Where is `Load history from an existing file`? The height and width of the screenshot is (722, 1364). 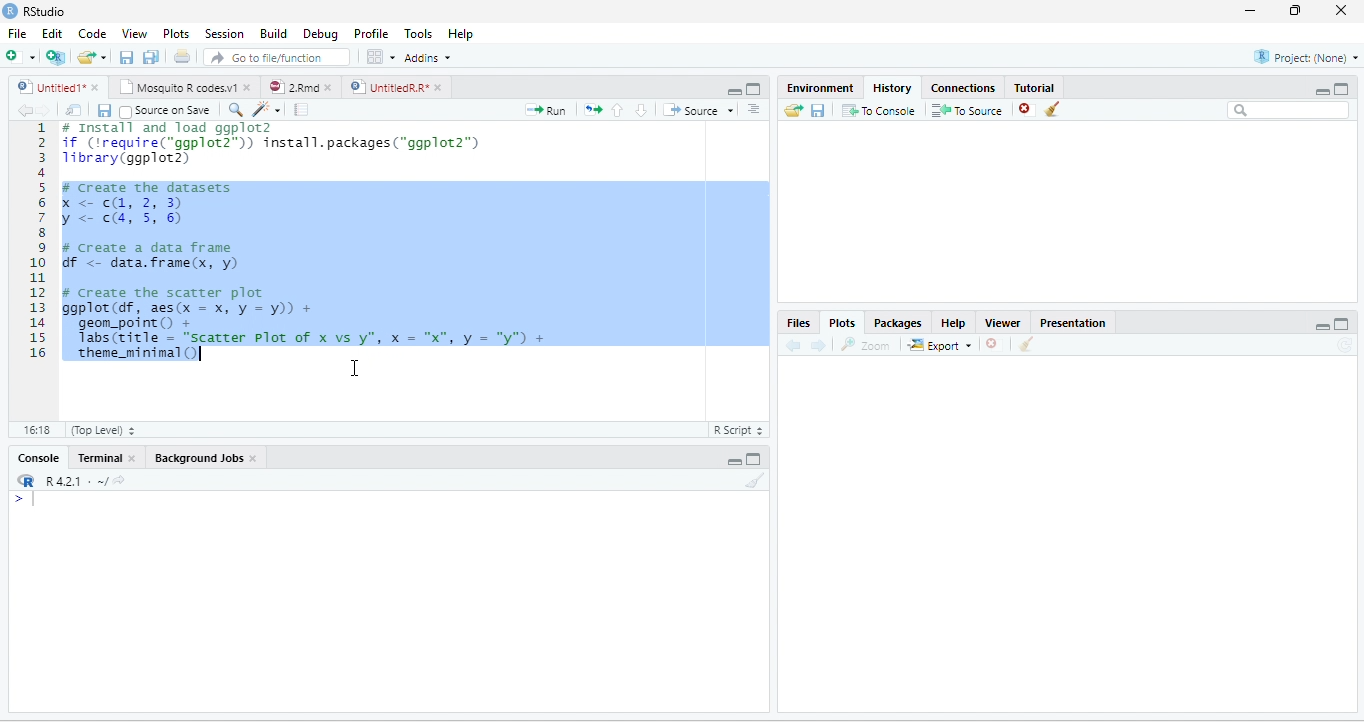
Load history from an existing file is located at coordinates (792, 111).